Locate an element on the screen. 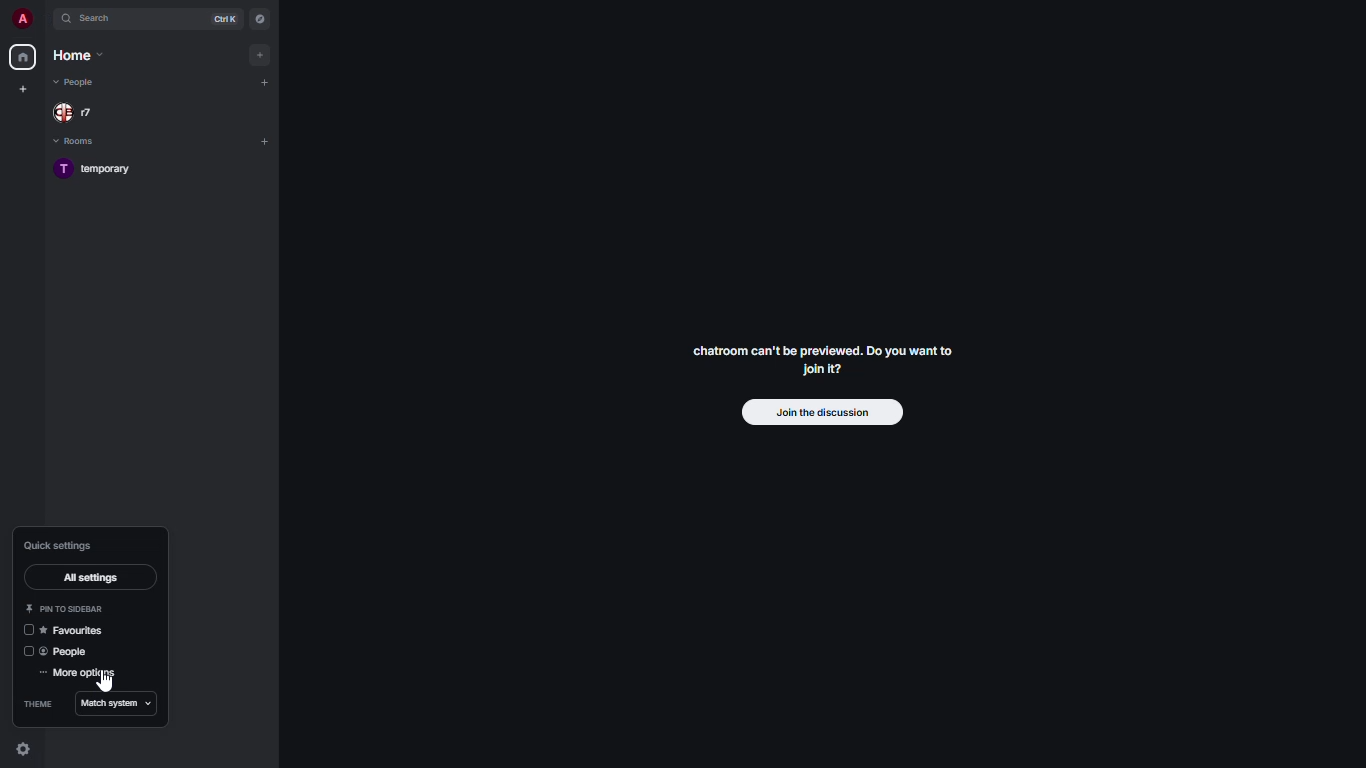 The image size is (1366, 768). disabled is located at coordinates (29, 631).